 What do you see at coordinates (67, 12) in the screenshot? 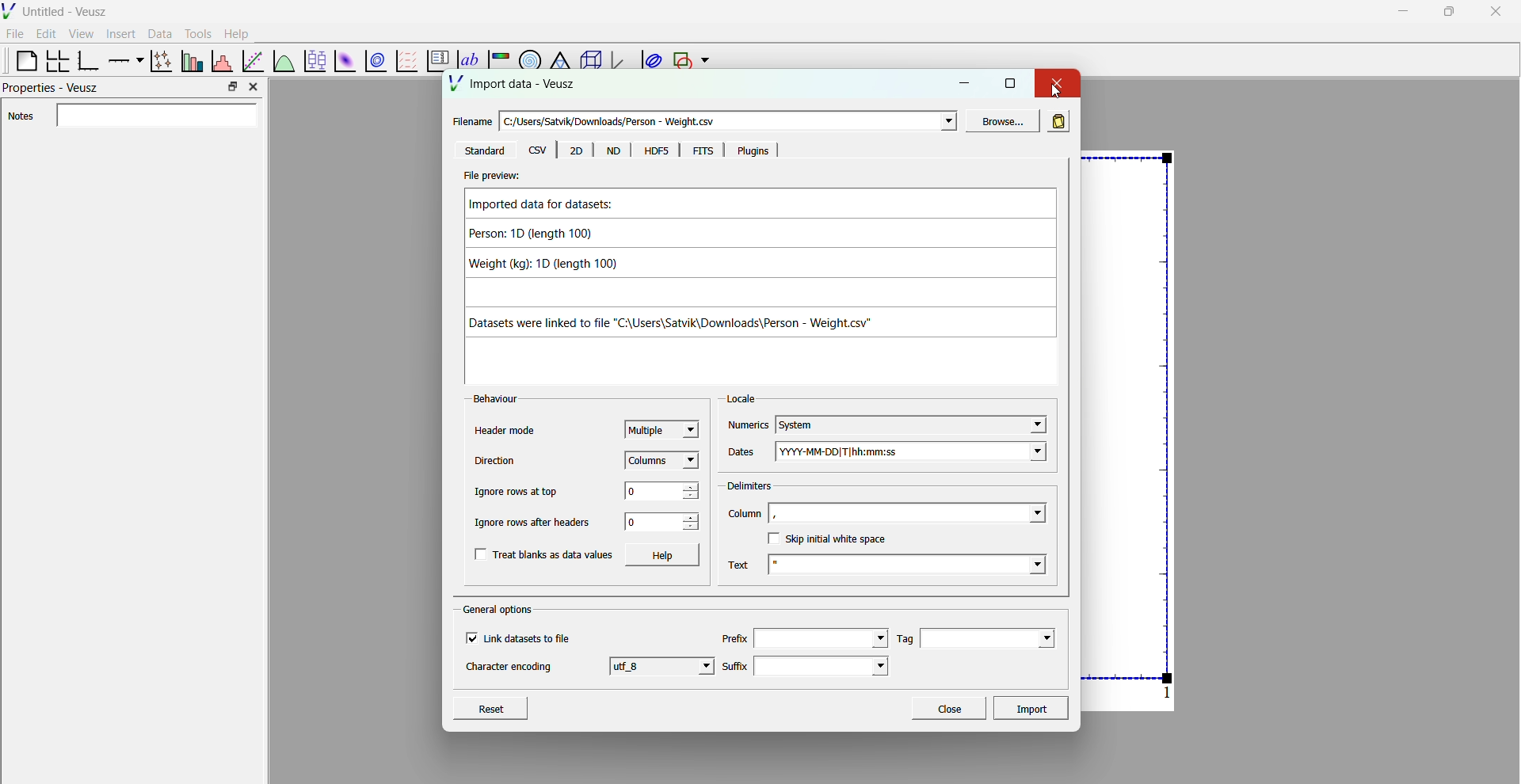
I see `Untitled - Veusz` at bounding box center [67, 12].